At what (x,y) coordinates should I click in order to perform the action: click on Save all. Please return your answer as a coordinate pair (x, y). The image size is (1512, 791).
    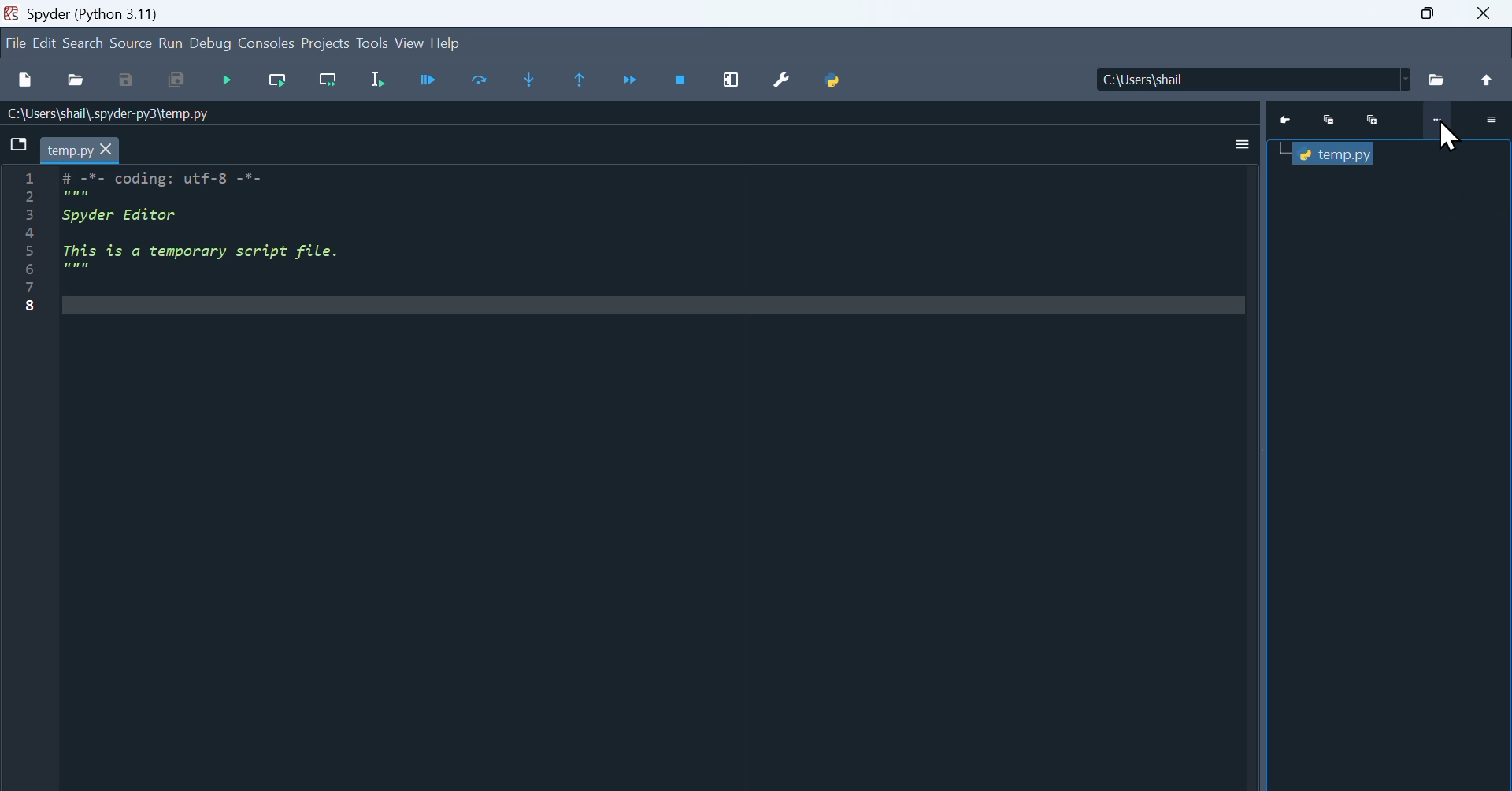
    Looking at the image, I should click on (176, 81).